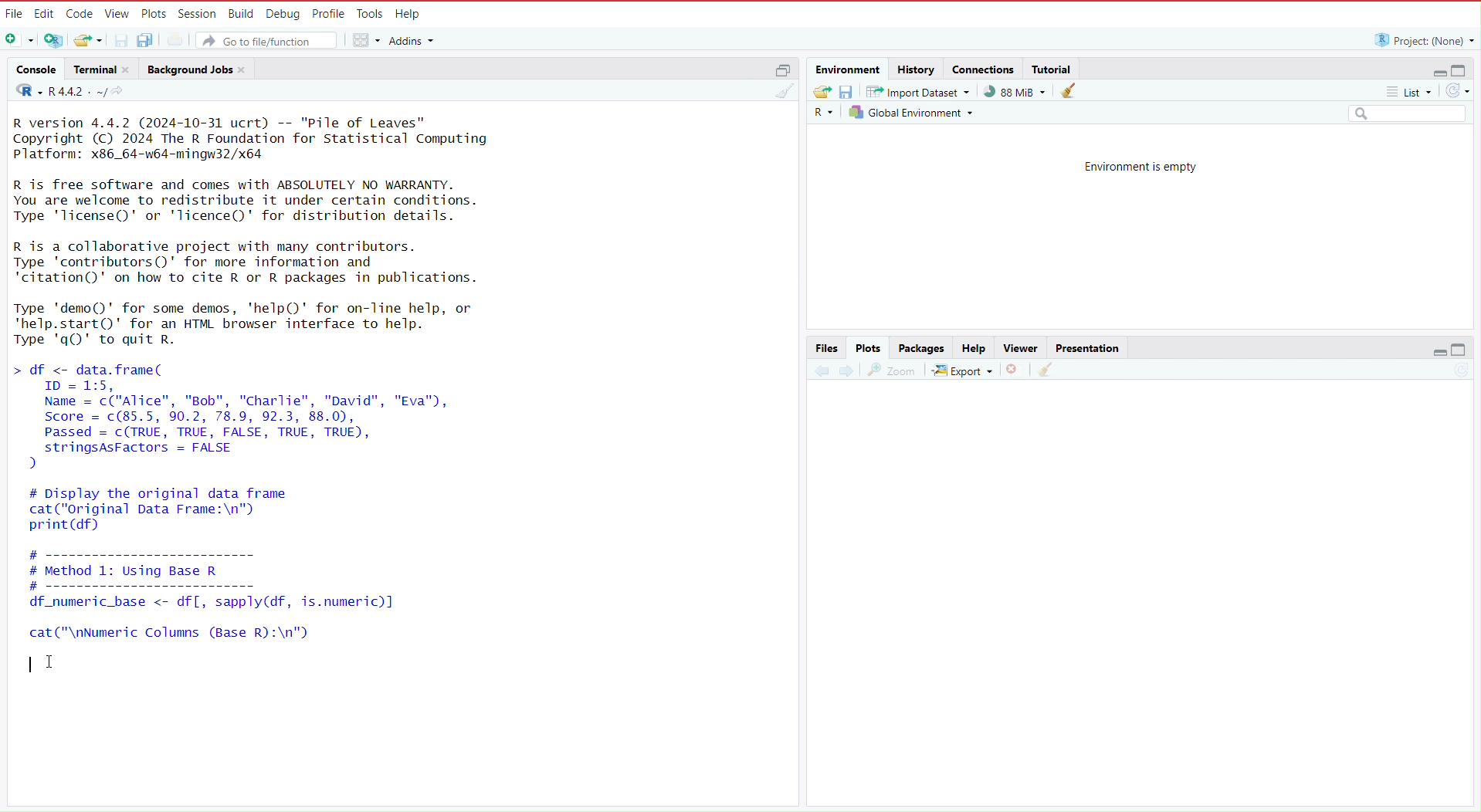  Describe the element at coordinates (920, 92) in the screenshot. I see `Import dataset` at that location.